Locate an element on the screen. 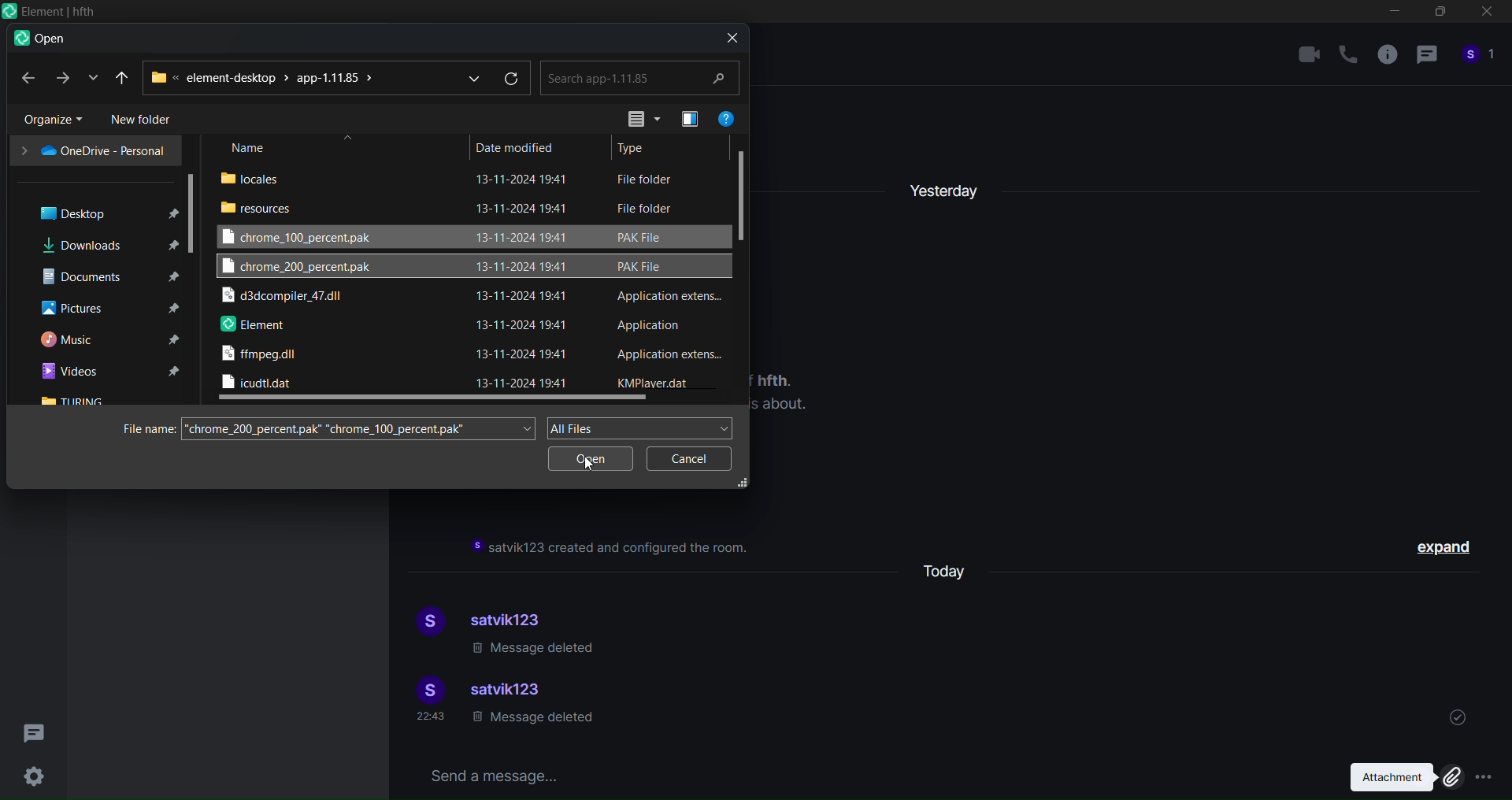  file type is located at coordinates (668, 280).